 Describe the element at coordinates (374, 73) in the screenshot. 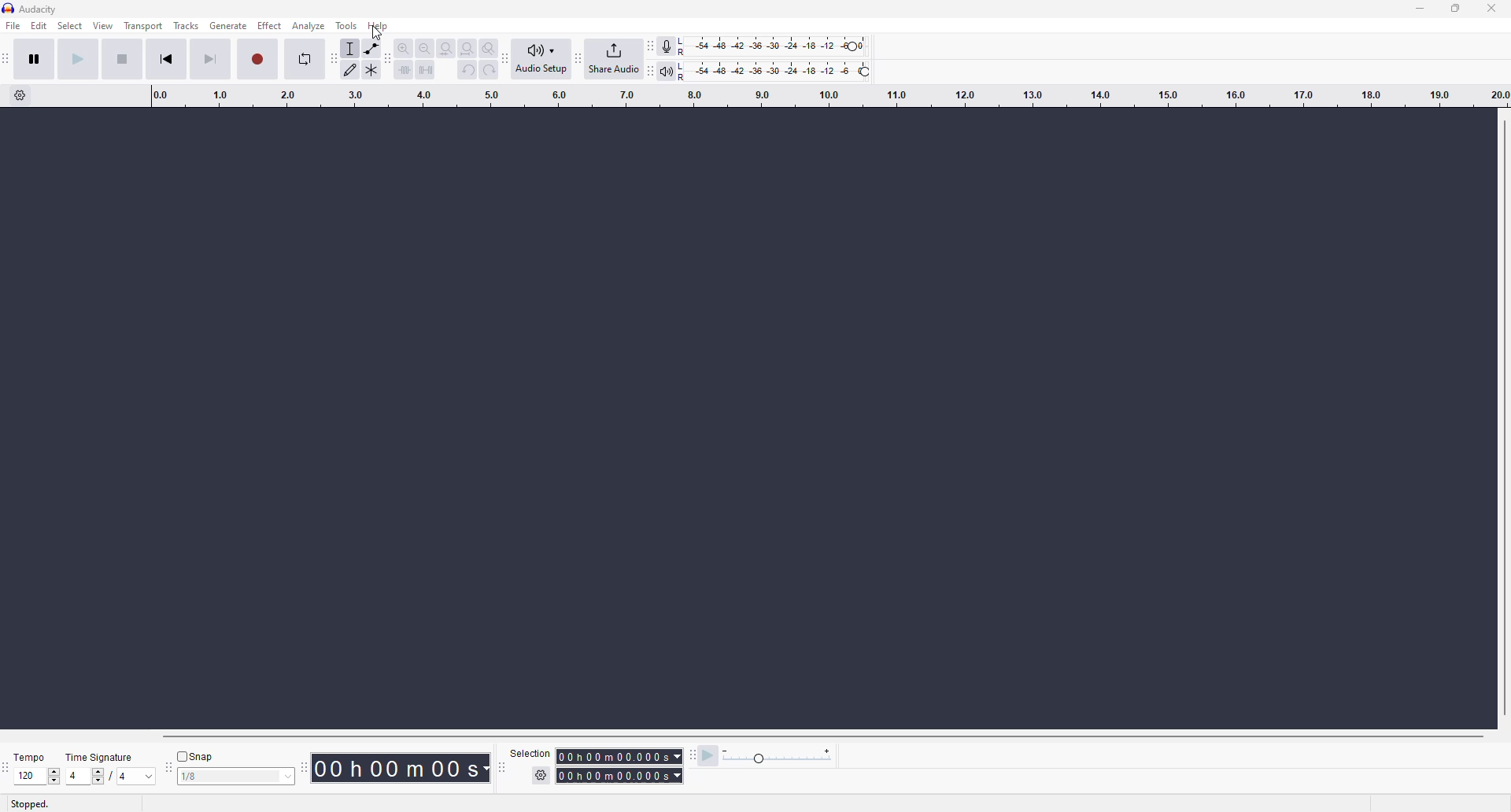

I see `multi tool` at that location.